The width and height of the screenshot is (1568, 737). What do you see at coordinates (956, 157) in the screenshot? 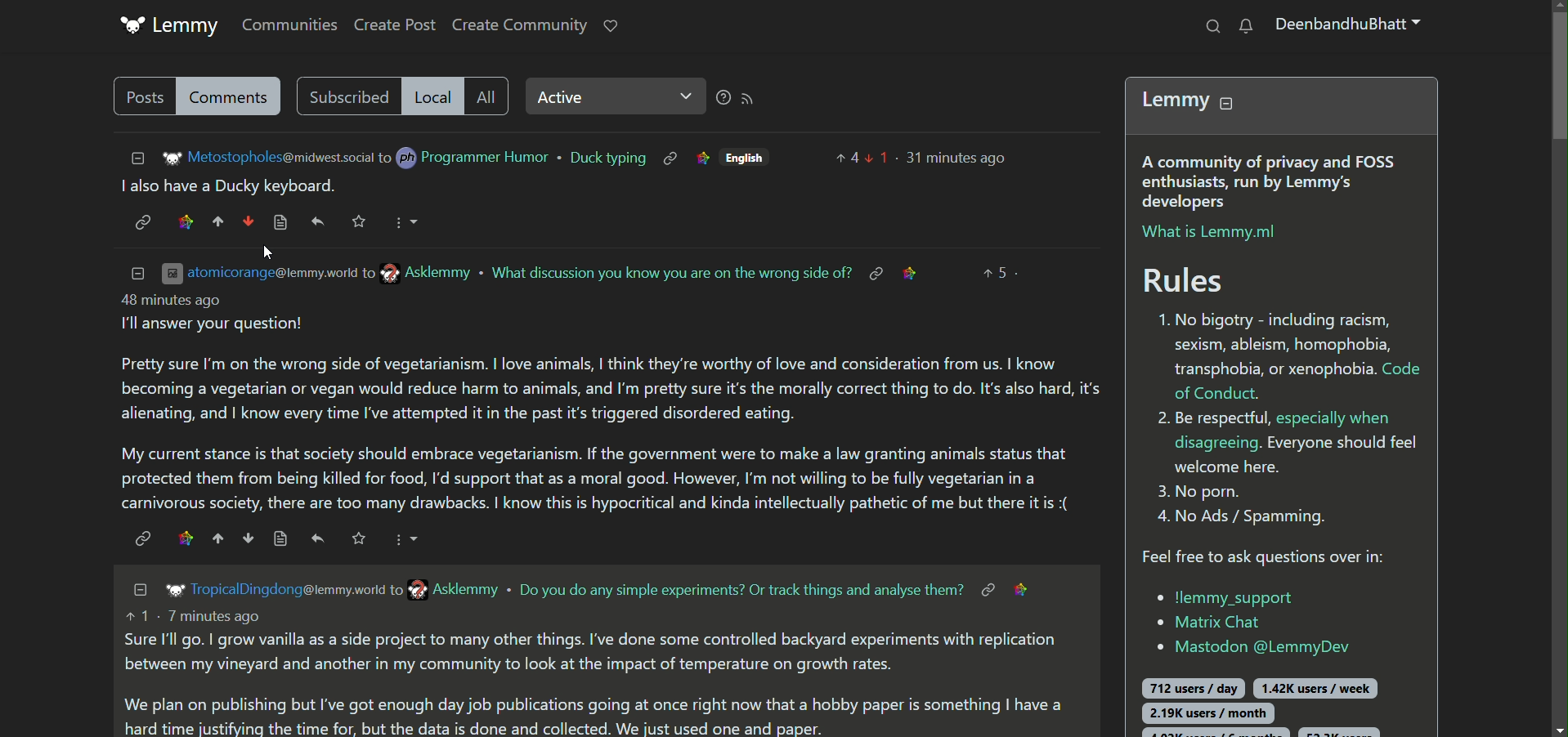
I see `update time` at bounding box center [956, 157].